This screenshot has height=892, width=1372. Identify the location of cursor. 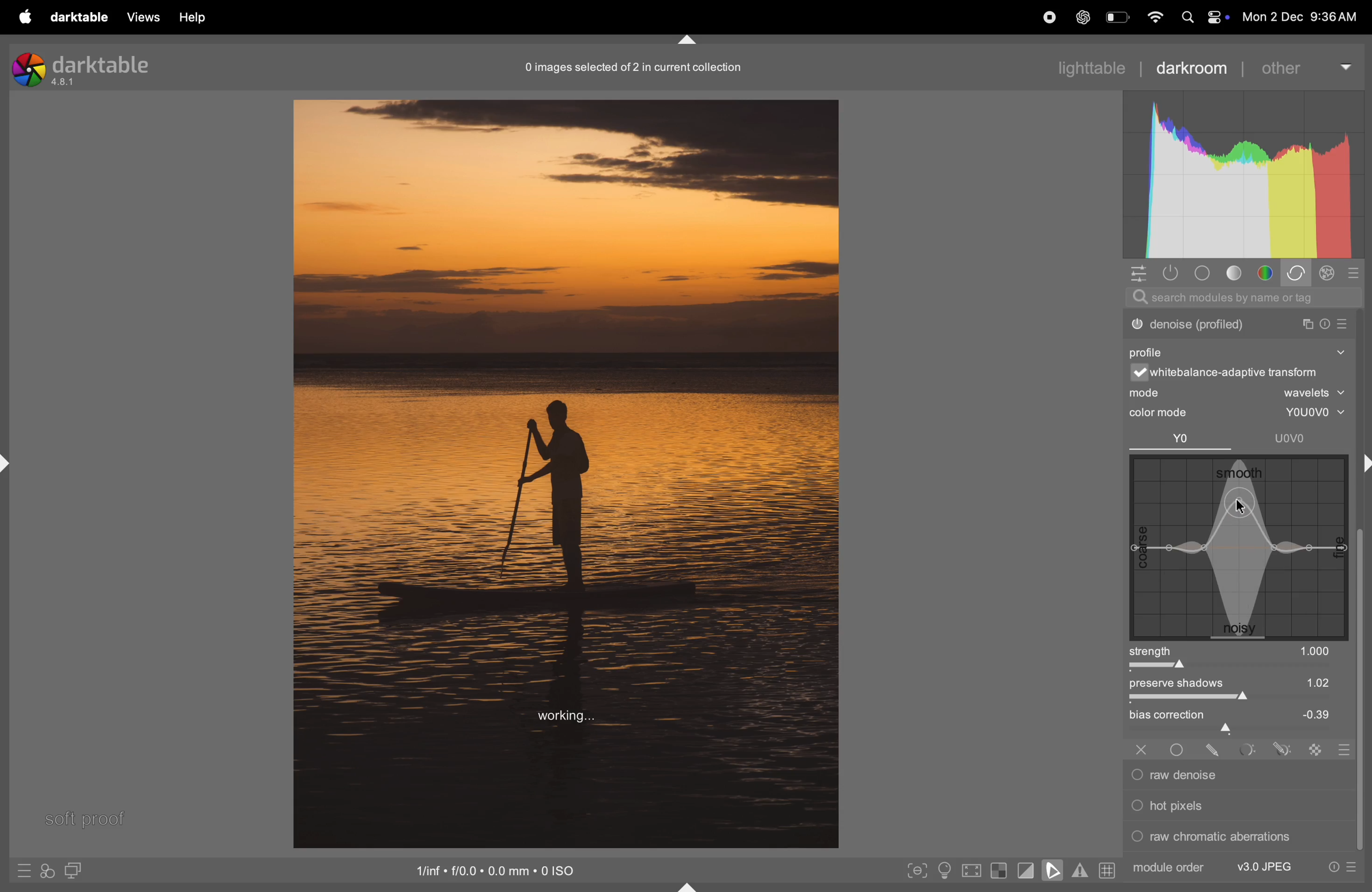
(1246, 507).